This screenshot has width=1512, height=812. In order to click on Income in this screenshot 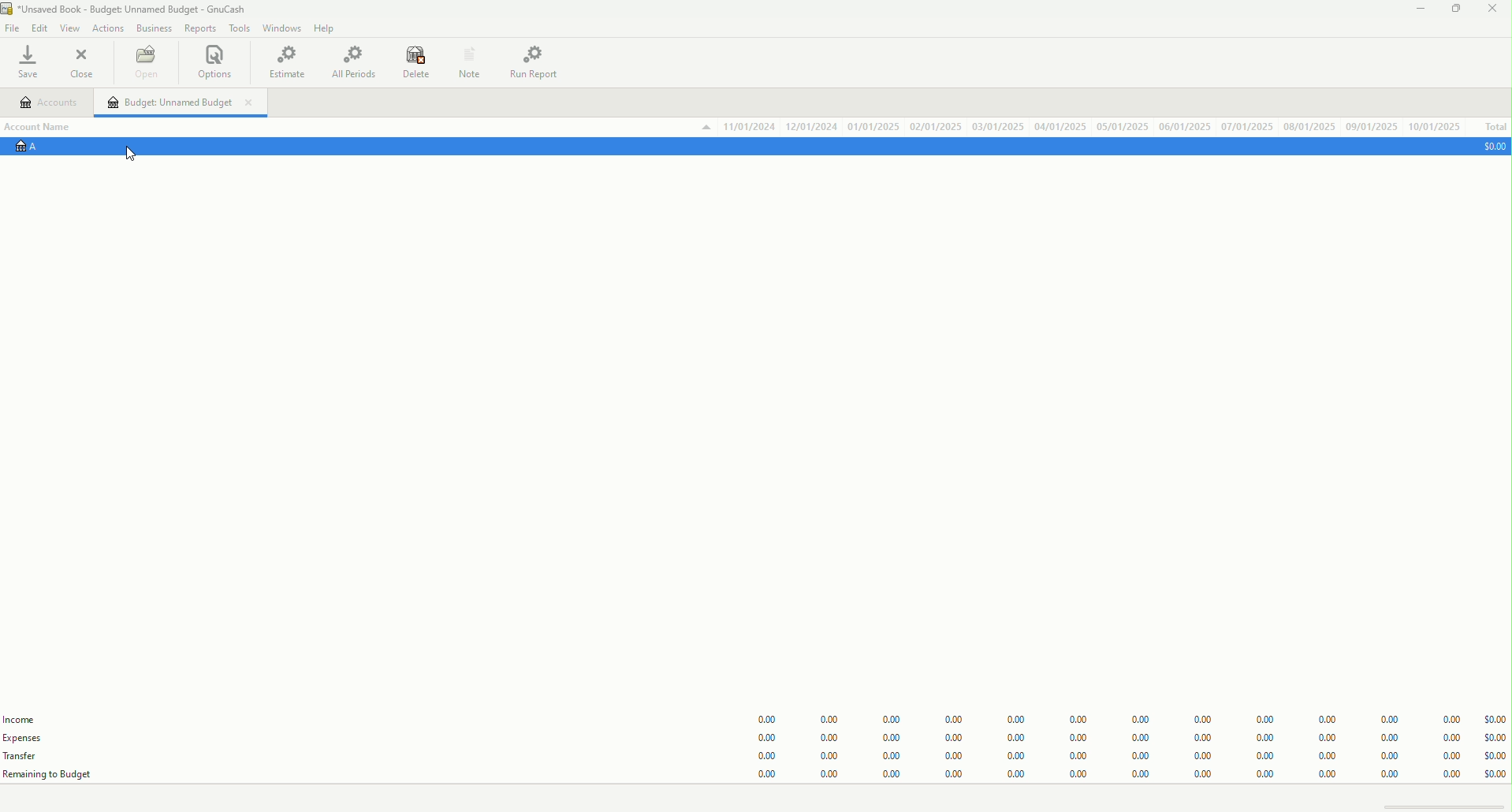, I will do `click(23, 722)`.